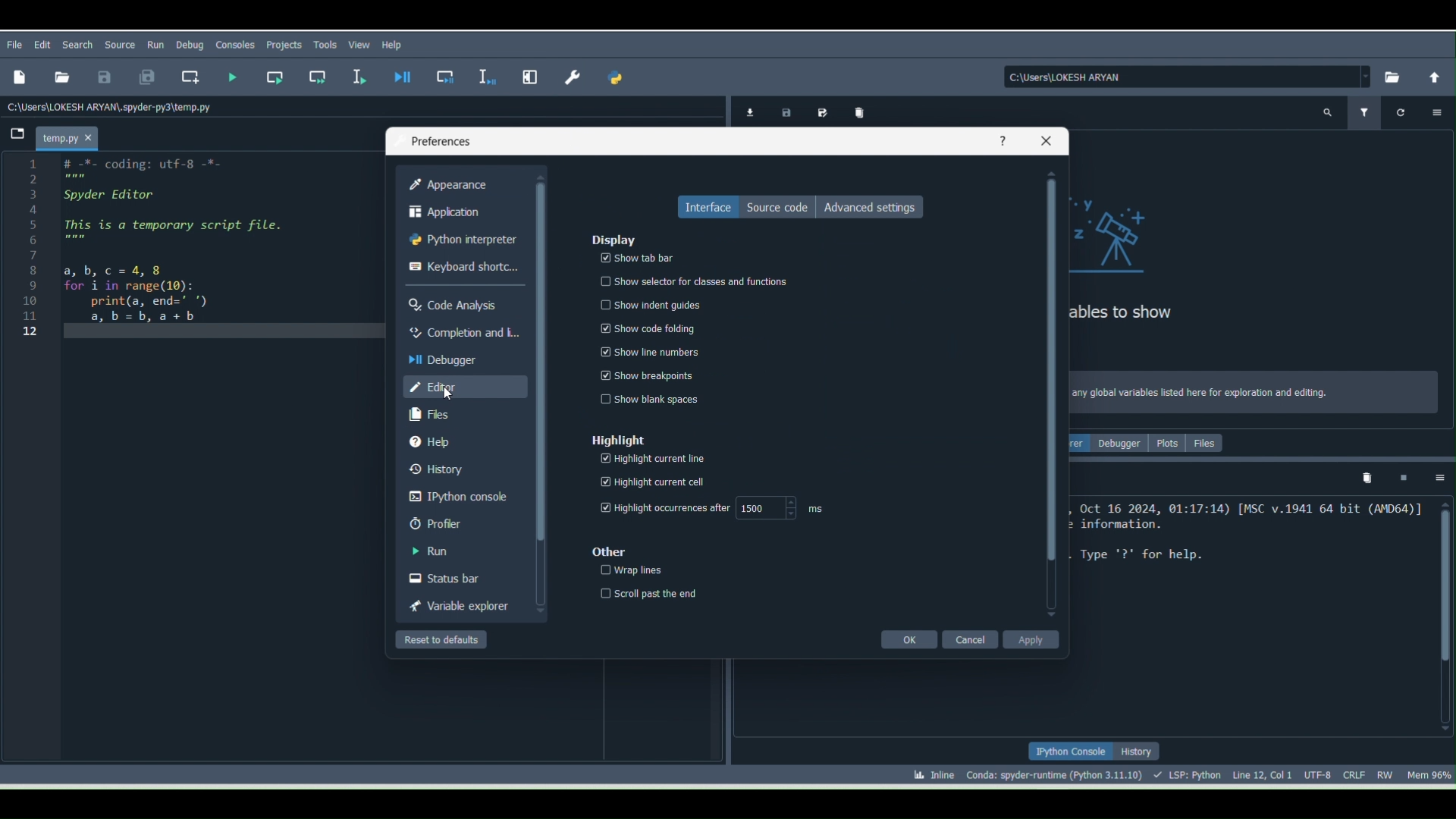 The height and width of the screenshot is (819, 1456). Describe the element at coordinates (140, 78) in the screenshot. I see `Save all files (Ctrl + Alt + S)` at that location.